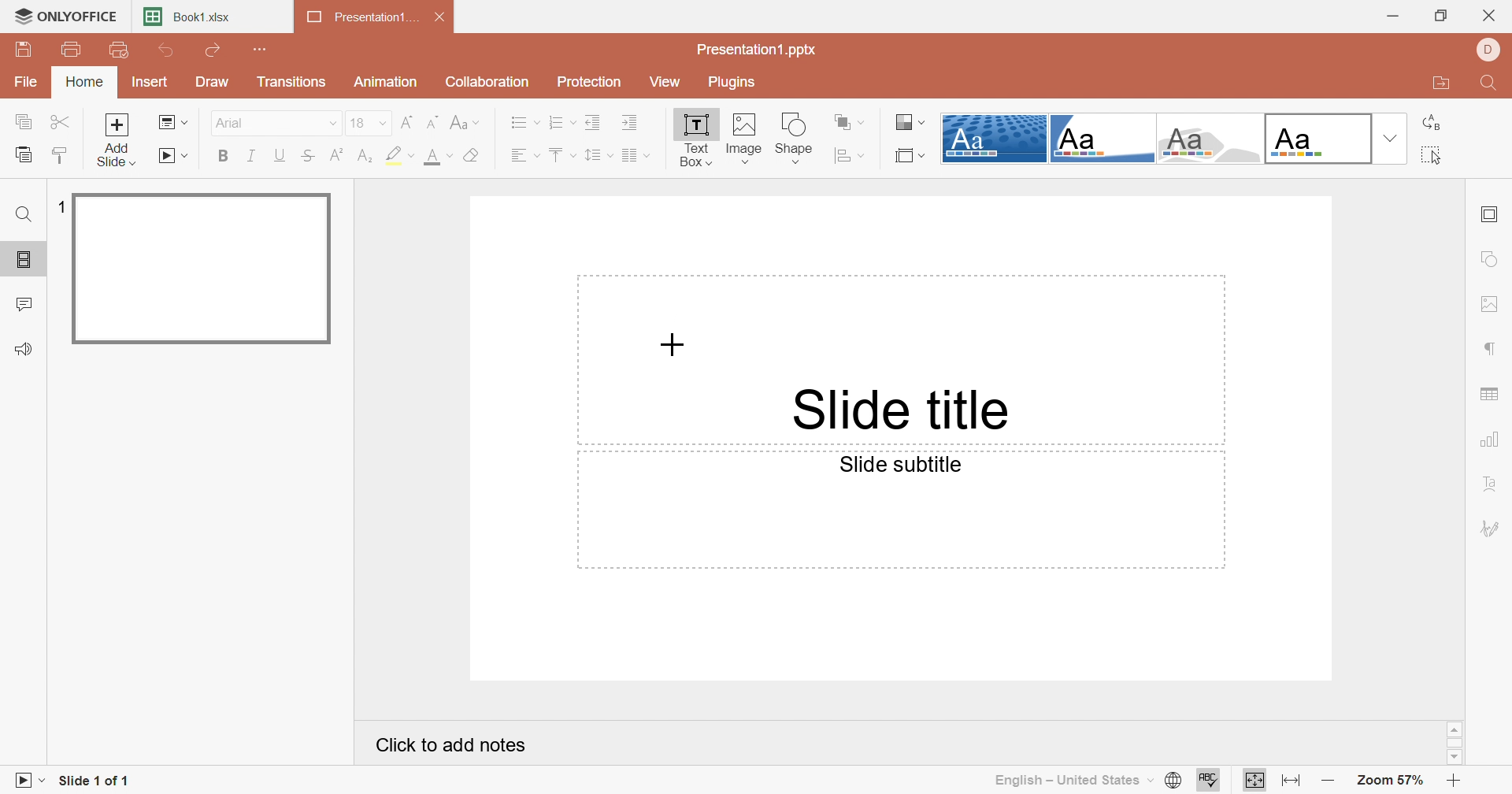 Image resolution: width=1512 pixels, height=794 pixels. What do you see at coordinates (95, 781) in the screenshot?
I see `Slide 1 of 1` at bounding box center [95, 781].